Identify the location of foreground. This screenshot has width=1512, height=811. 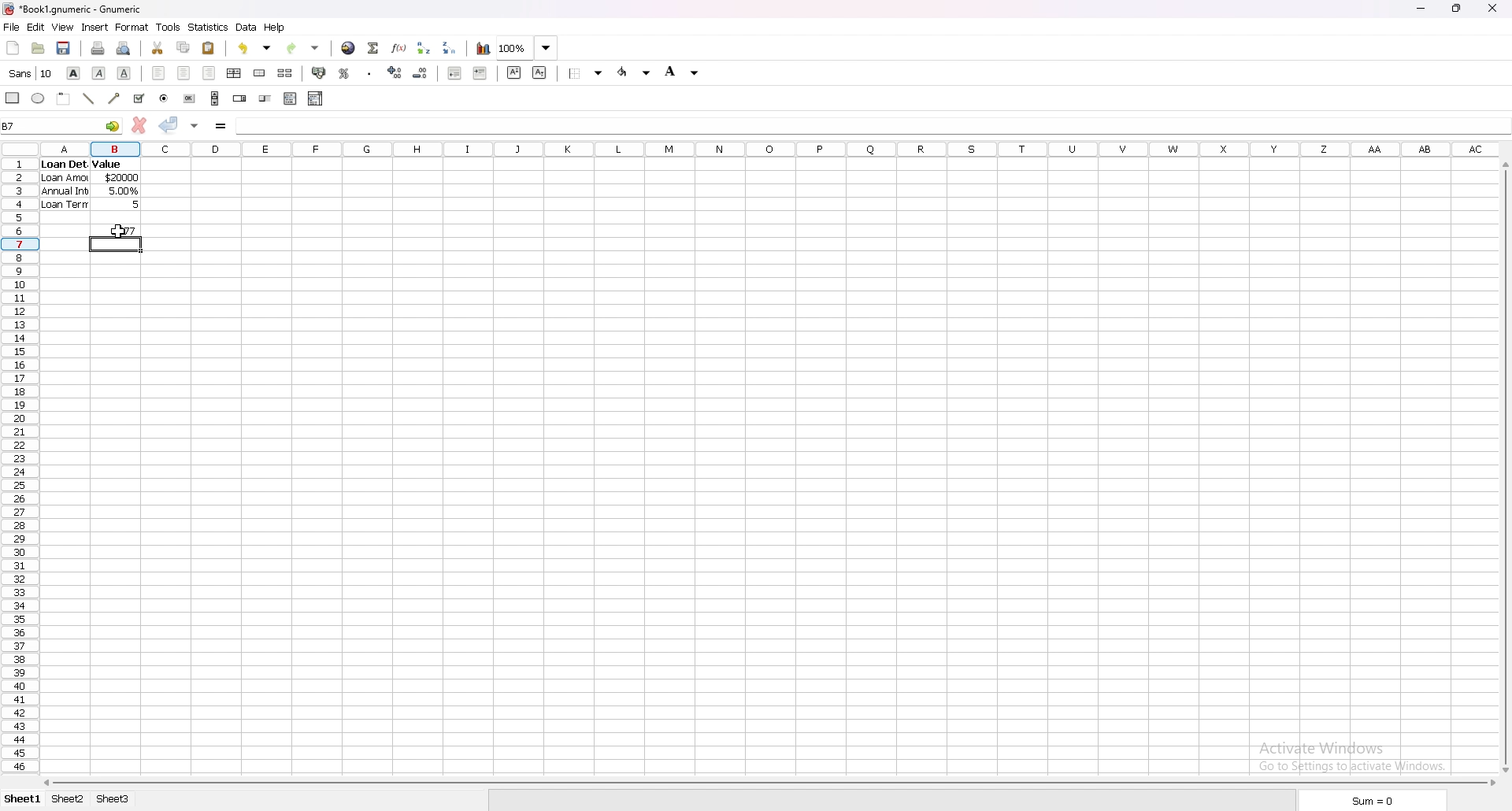
(635, 72).